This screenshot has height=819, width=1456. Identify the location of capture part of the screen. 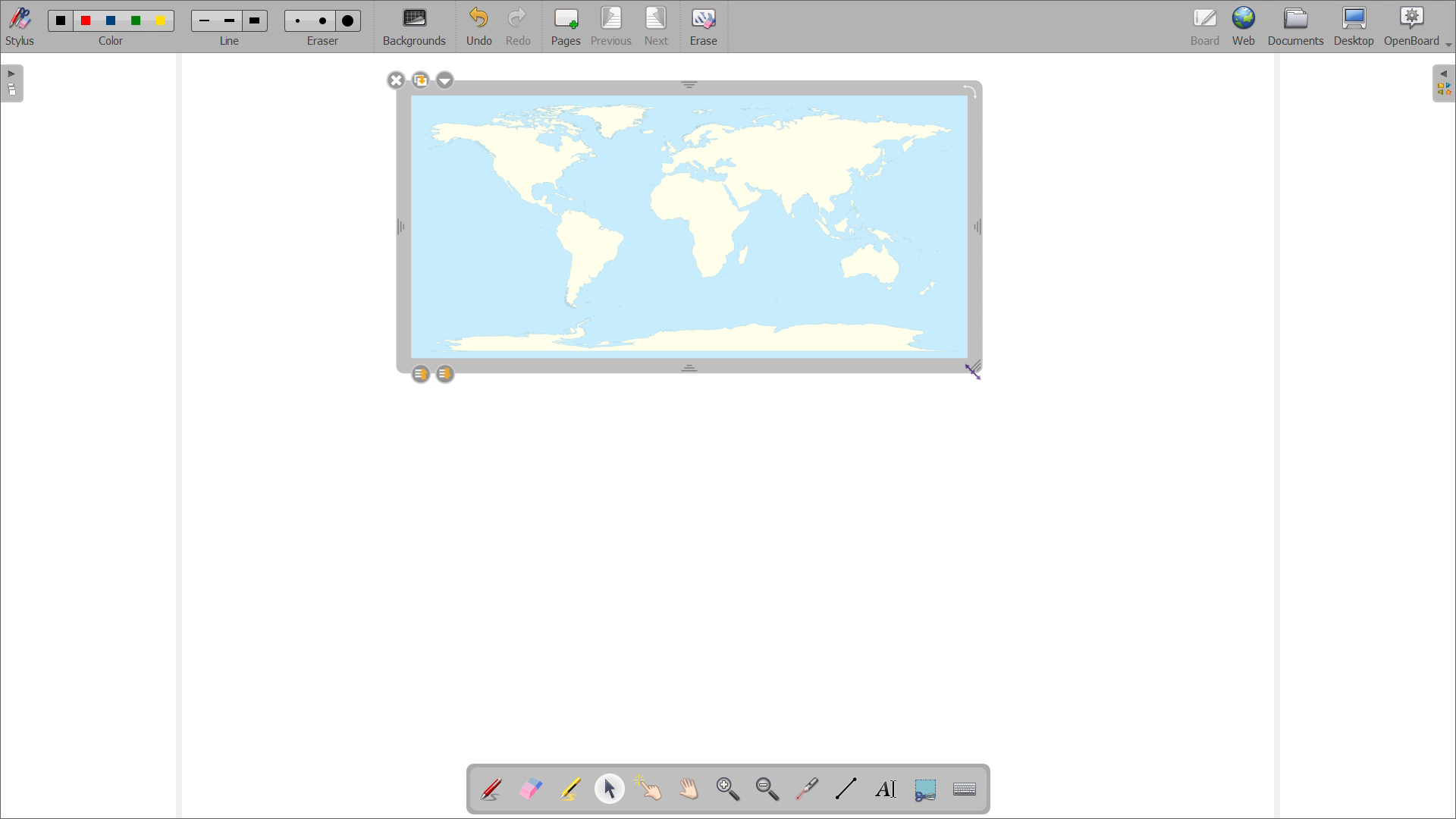
(927, 789).